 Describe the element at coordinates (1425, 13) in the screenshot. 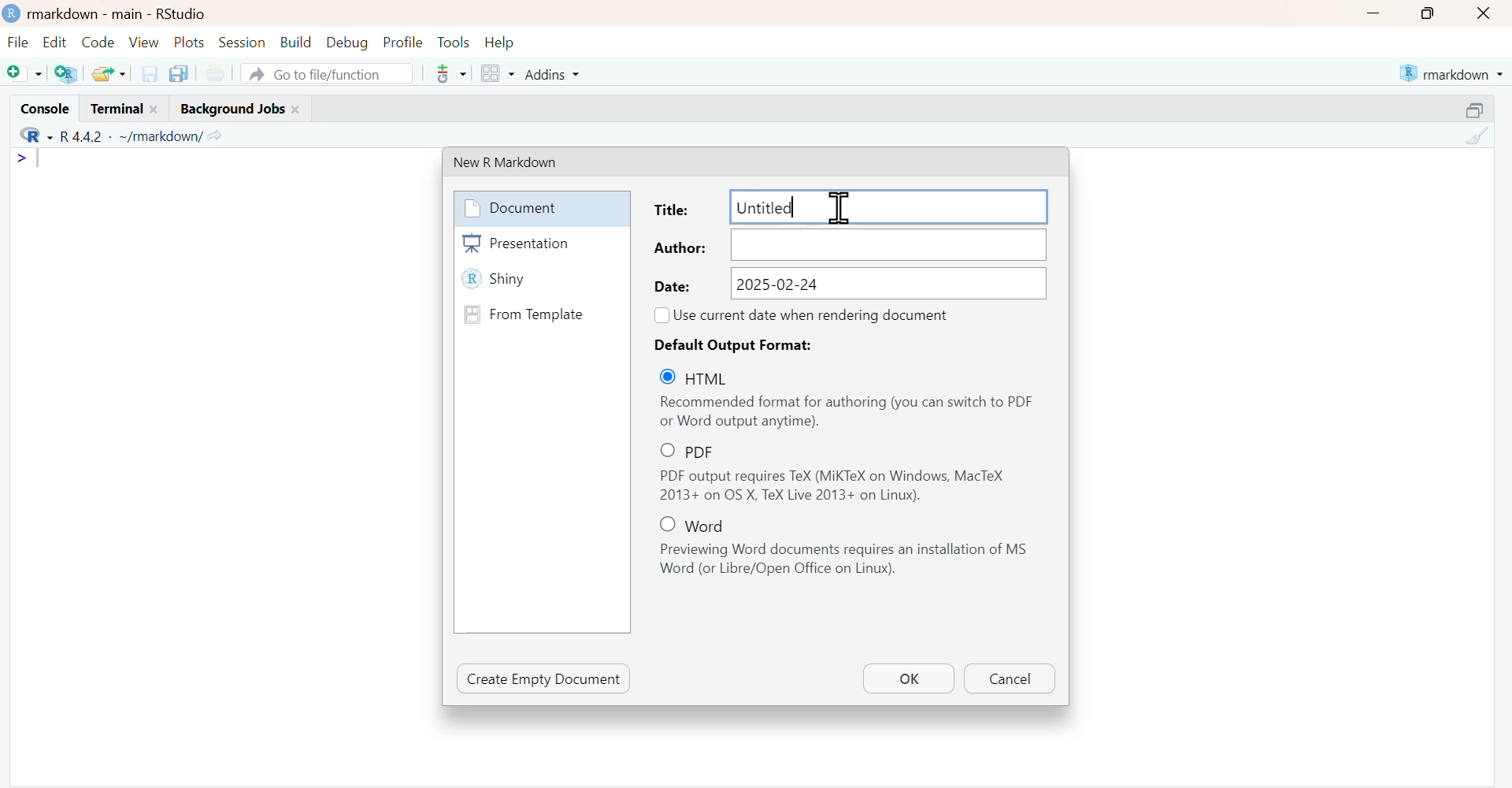

I see `maximize` at that location.